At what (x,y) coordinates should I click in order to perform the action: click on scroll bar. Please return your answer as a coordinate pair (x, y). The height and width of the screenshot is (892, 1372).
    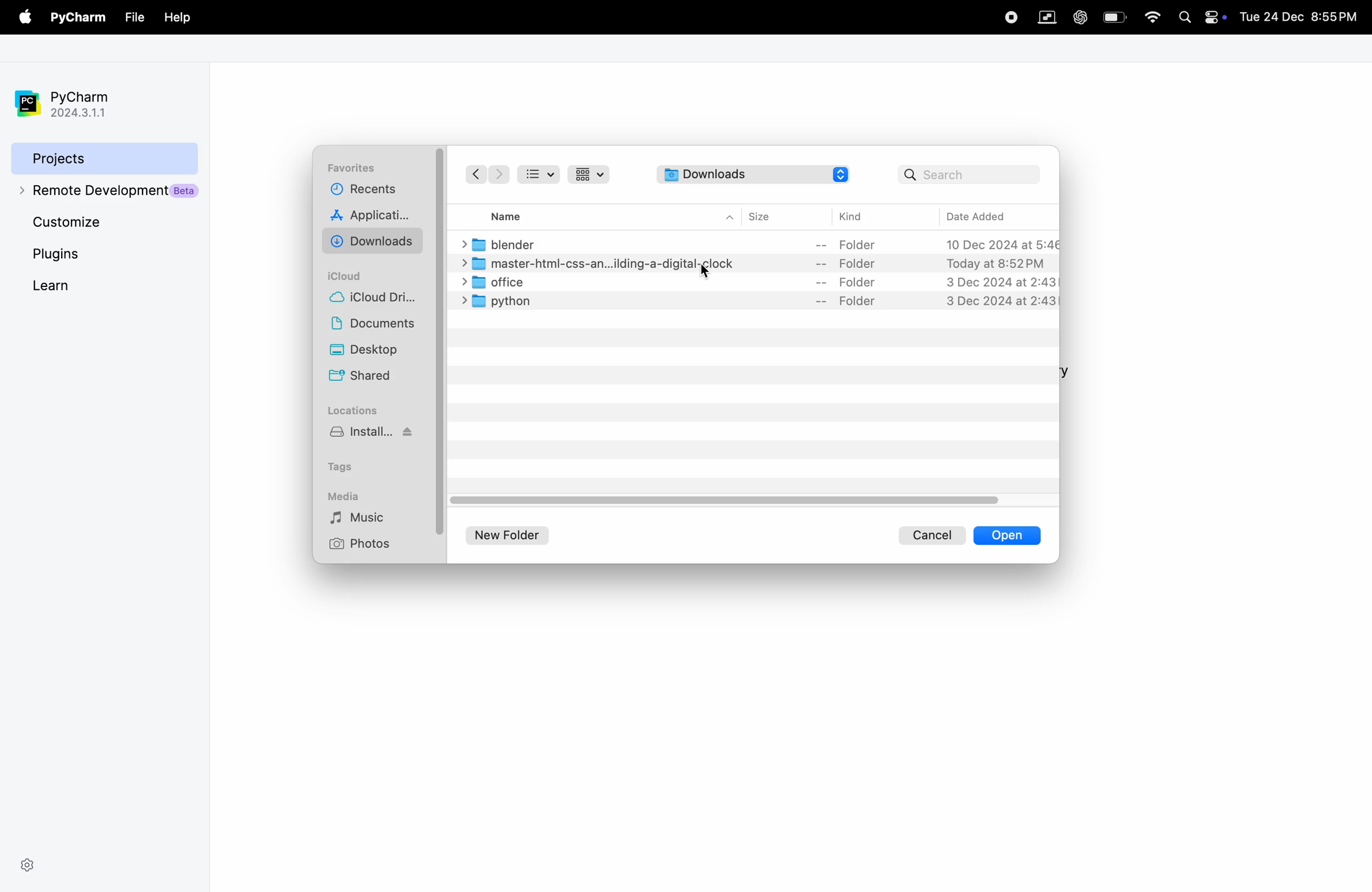
    Looking at the image, I should click on (440, 337).